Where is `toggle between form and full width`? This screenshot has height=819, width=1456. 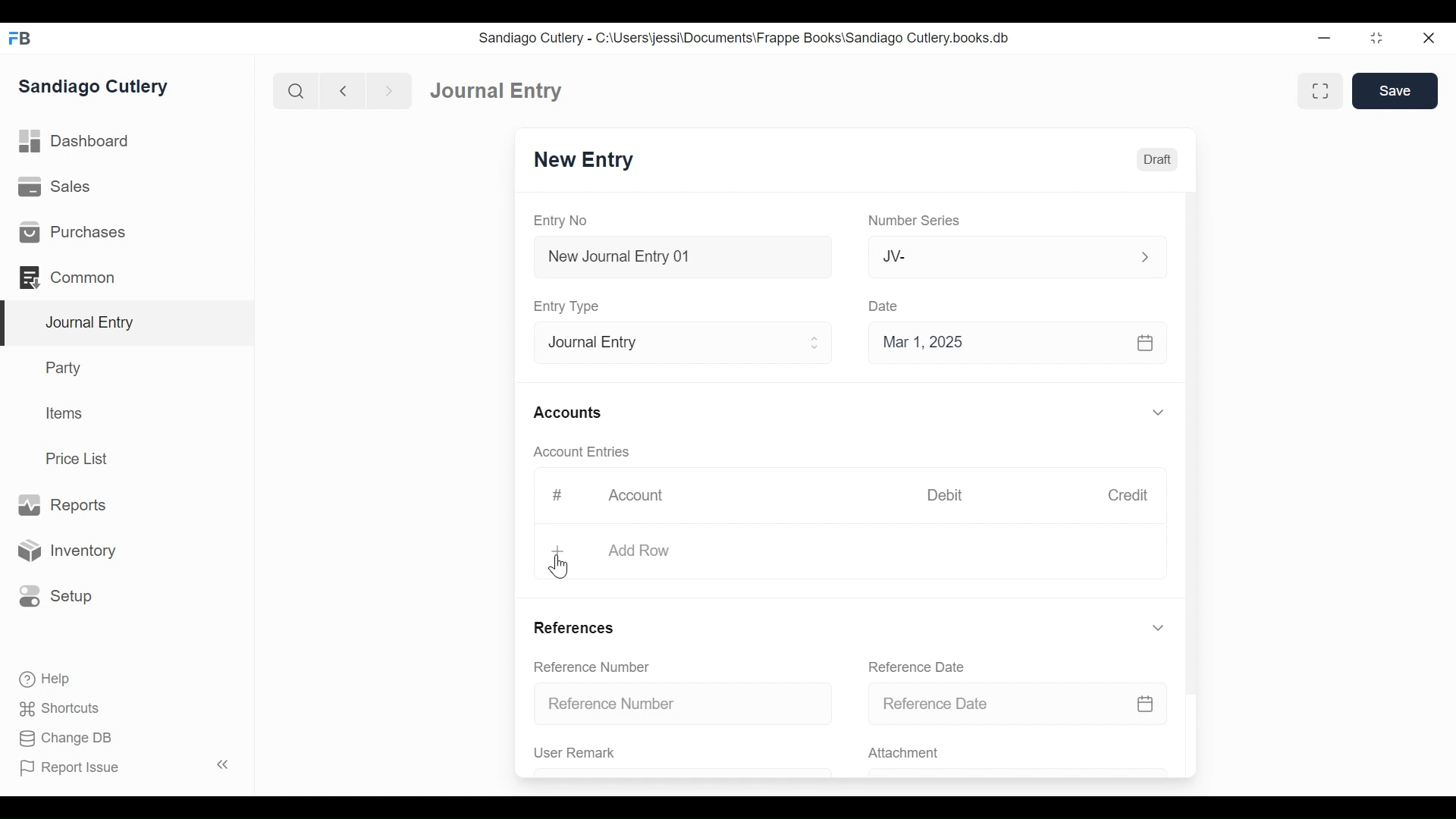
toggle between form and full width is located at coordinates (1323, 92).